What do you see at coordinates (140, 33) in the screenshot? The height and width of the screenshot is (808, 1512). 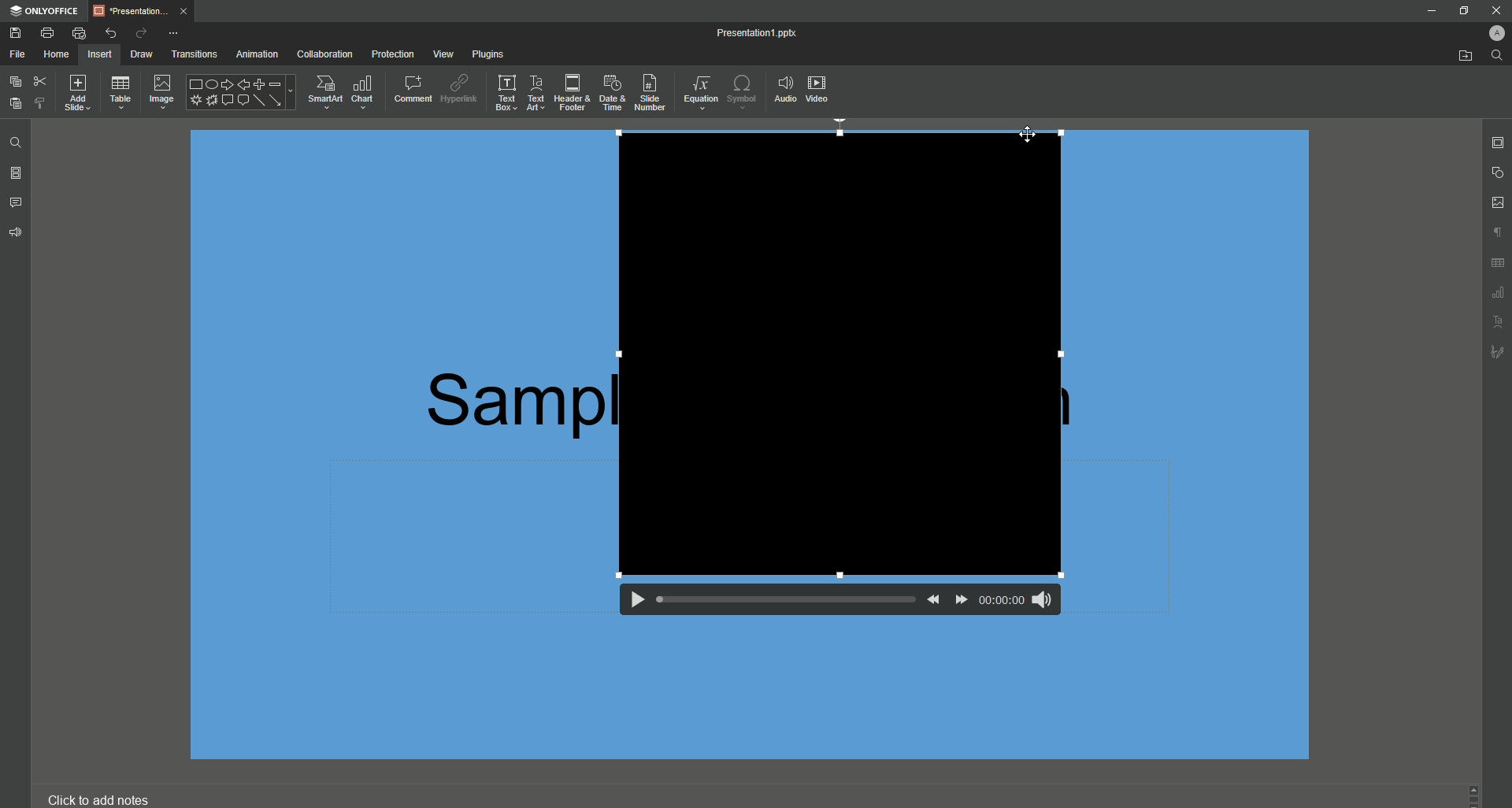 I see `Redo` at bounding box center [140, 33].